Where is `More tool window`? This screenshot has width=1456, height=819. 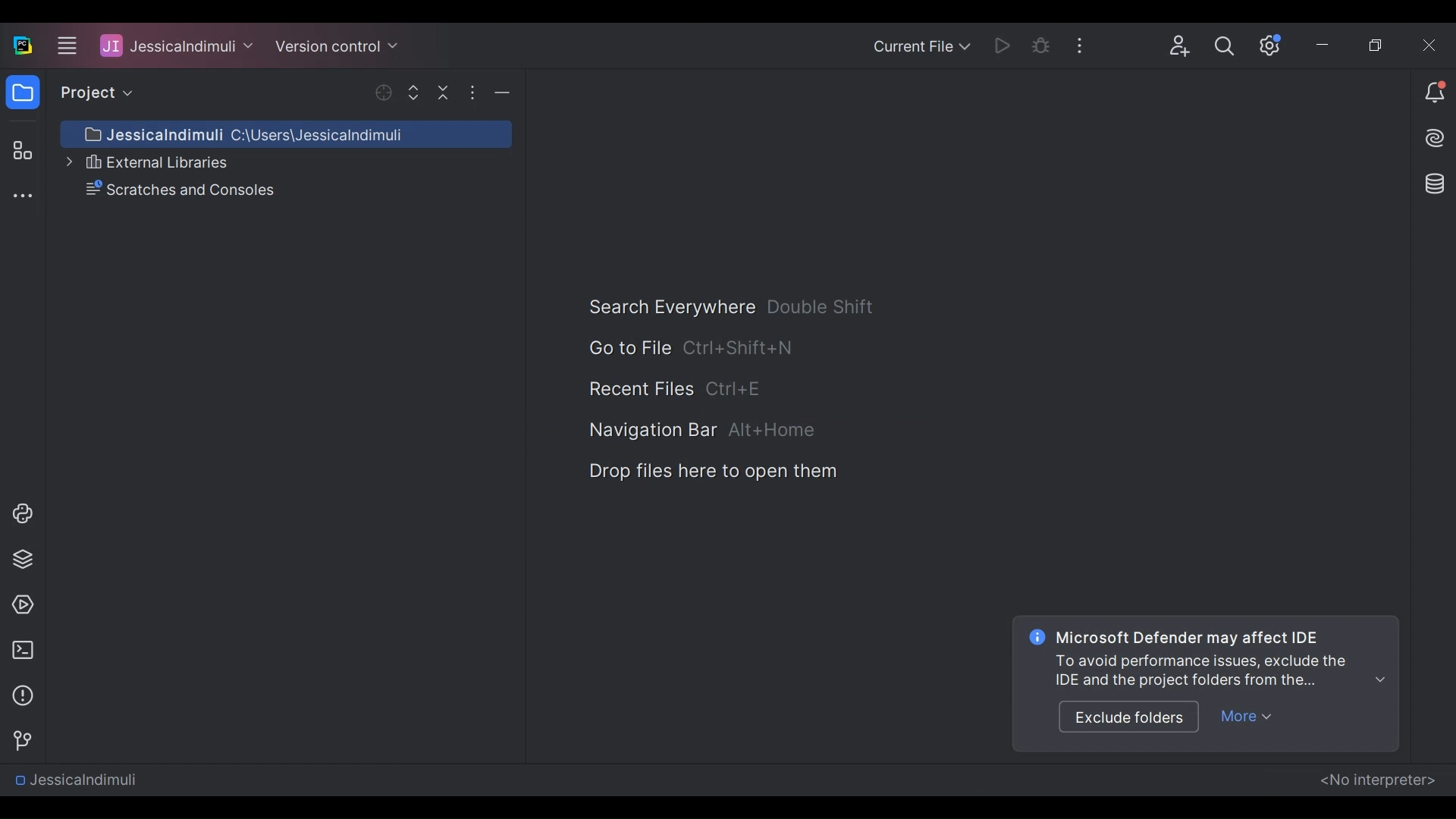 More tool window is located at coordinates (20, 196).